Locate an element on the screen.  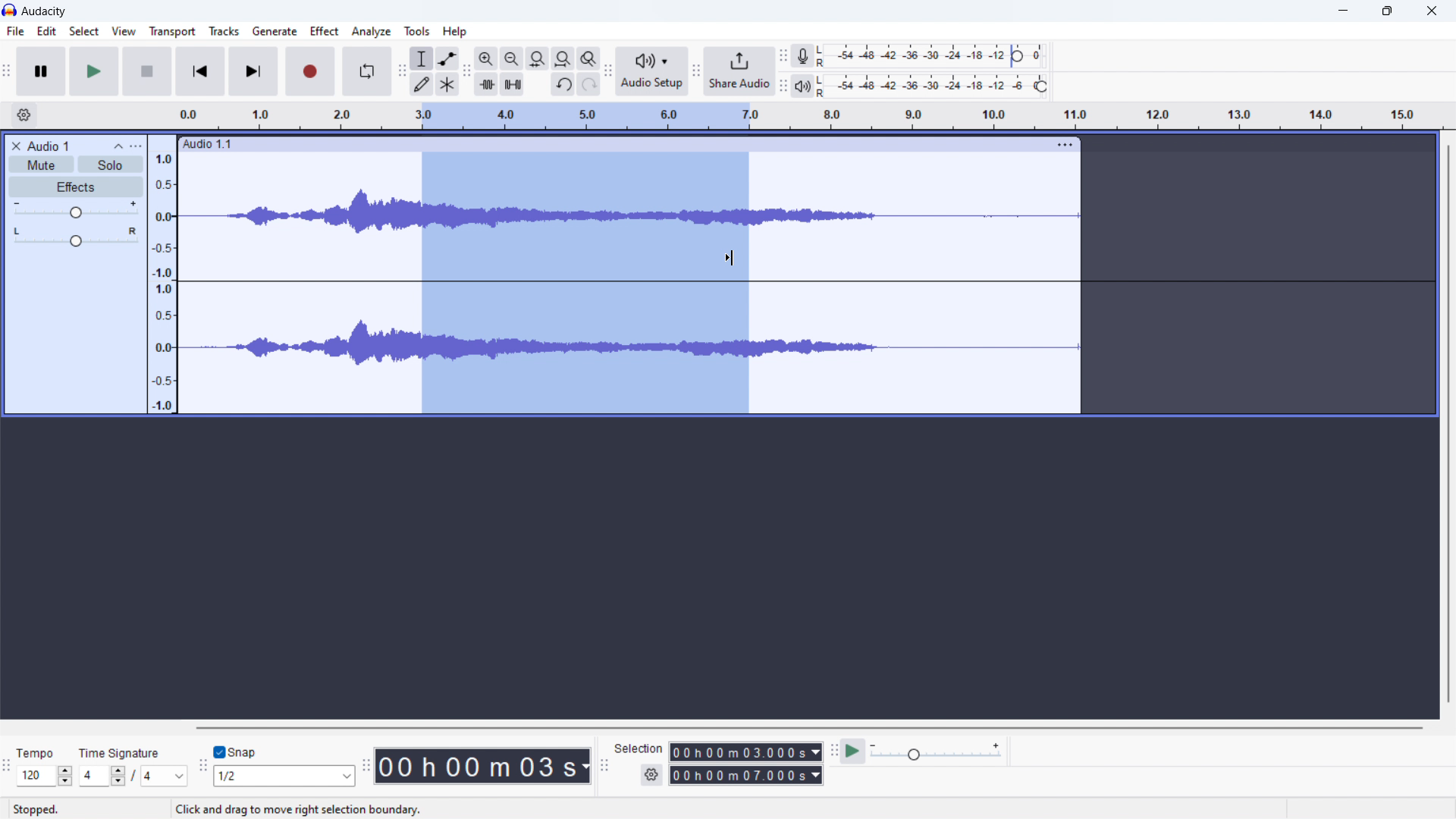
effect is located at coordinates (325, 31).